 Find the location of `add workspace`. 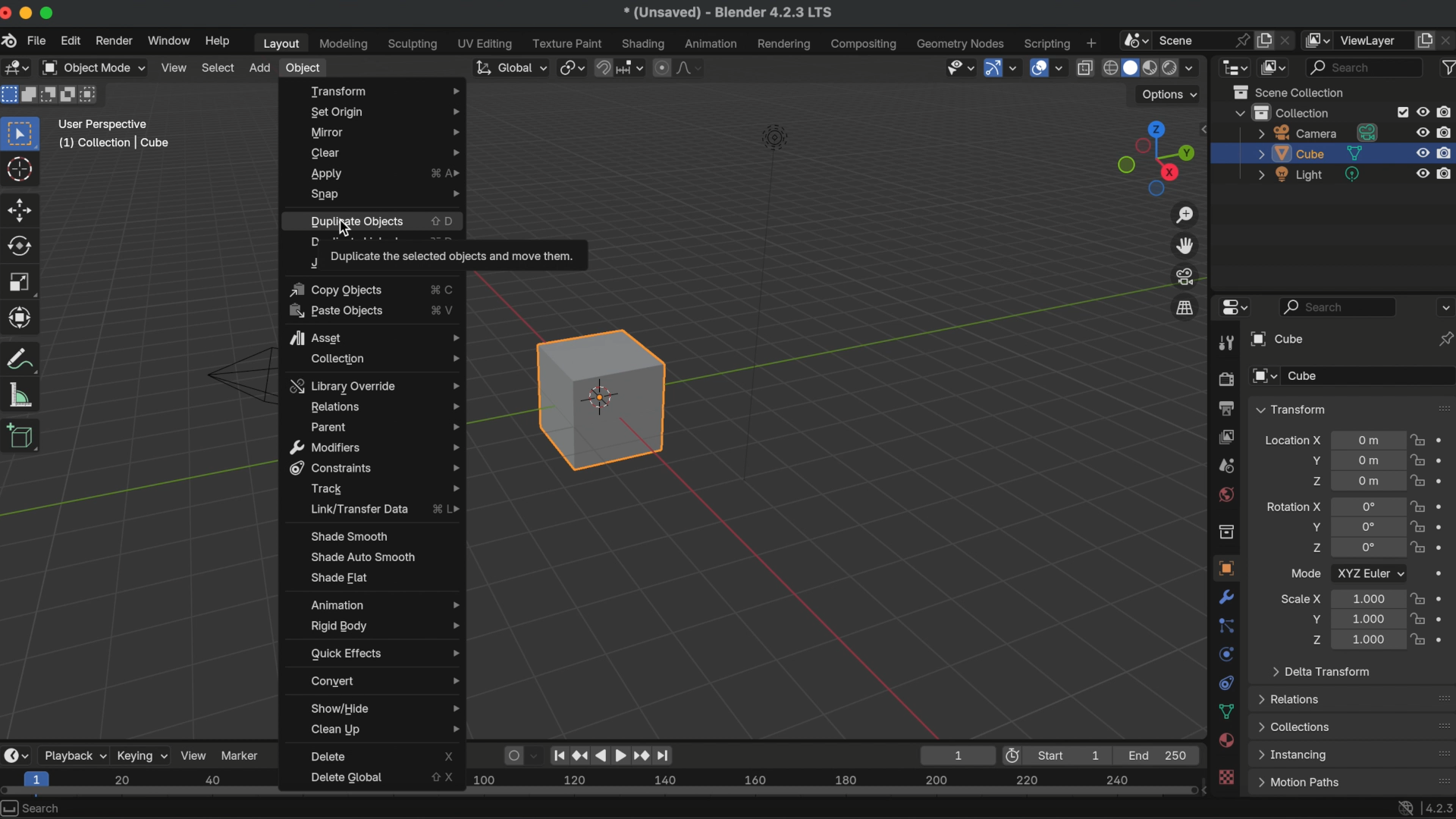

add workspace is located at coordinates (1090, 42).